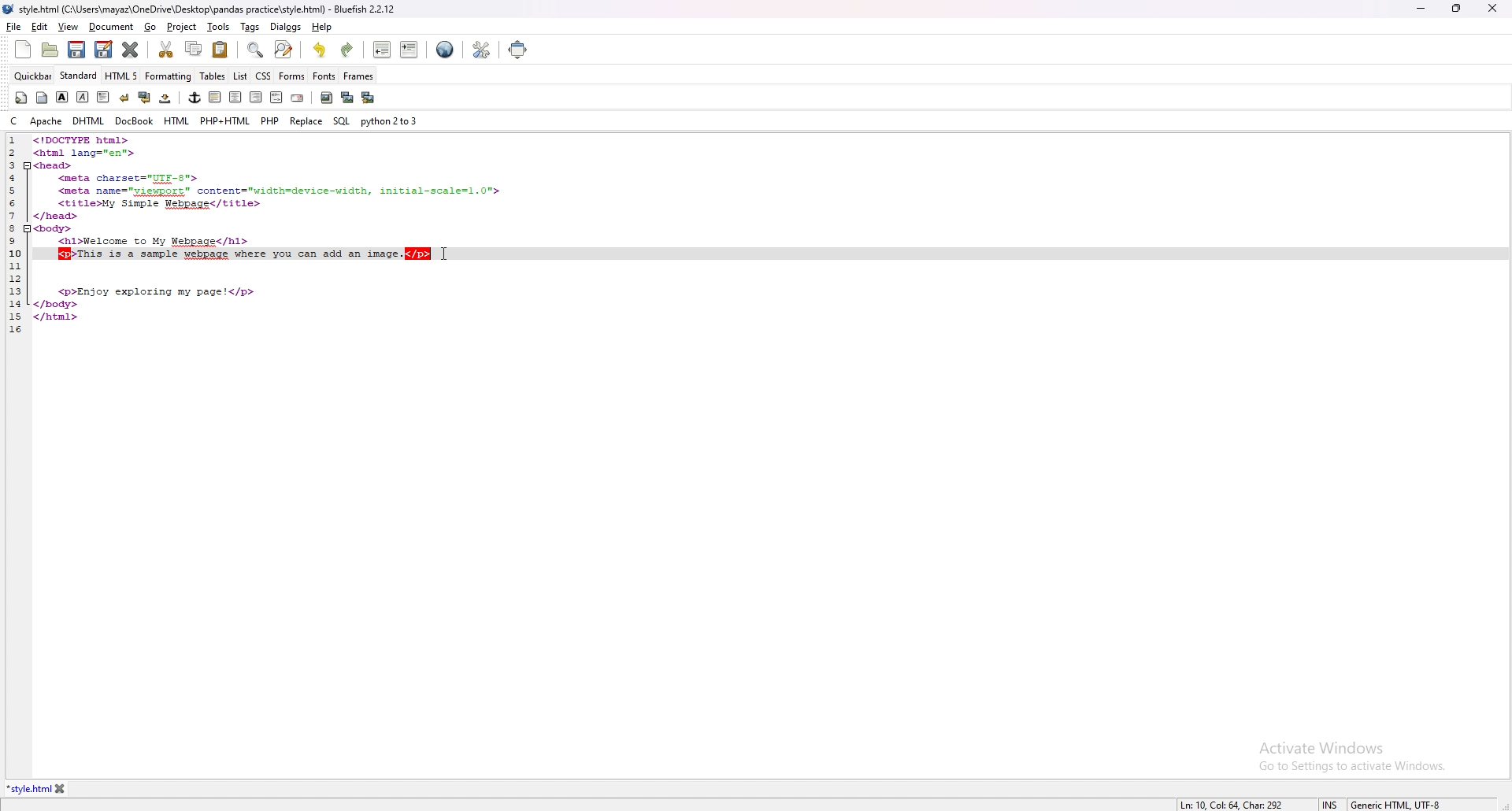 This screenshot has width=1512, height=811. What do you see at coordinates (151, 27) in the screenshot?
I see `go` at bounding box center [151, 27].